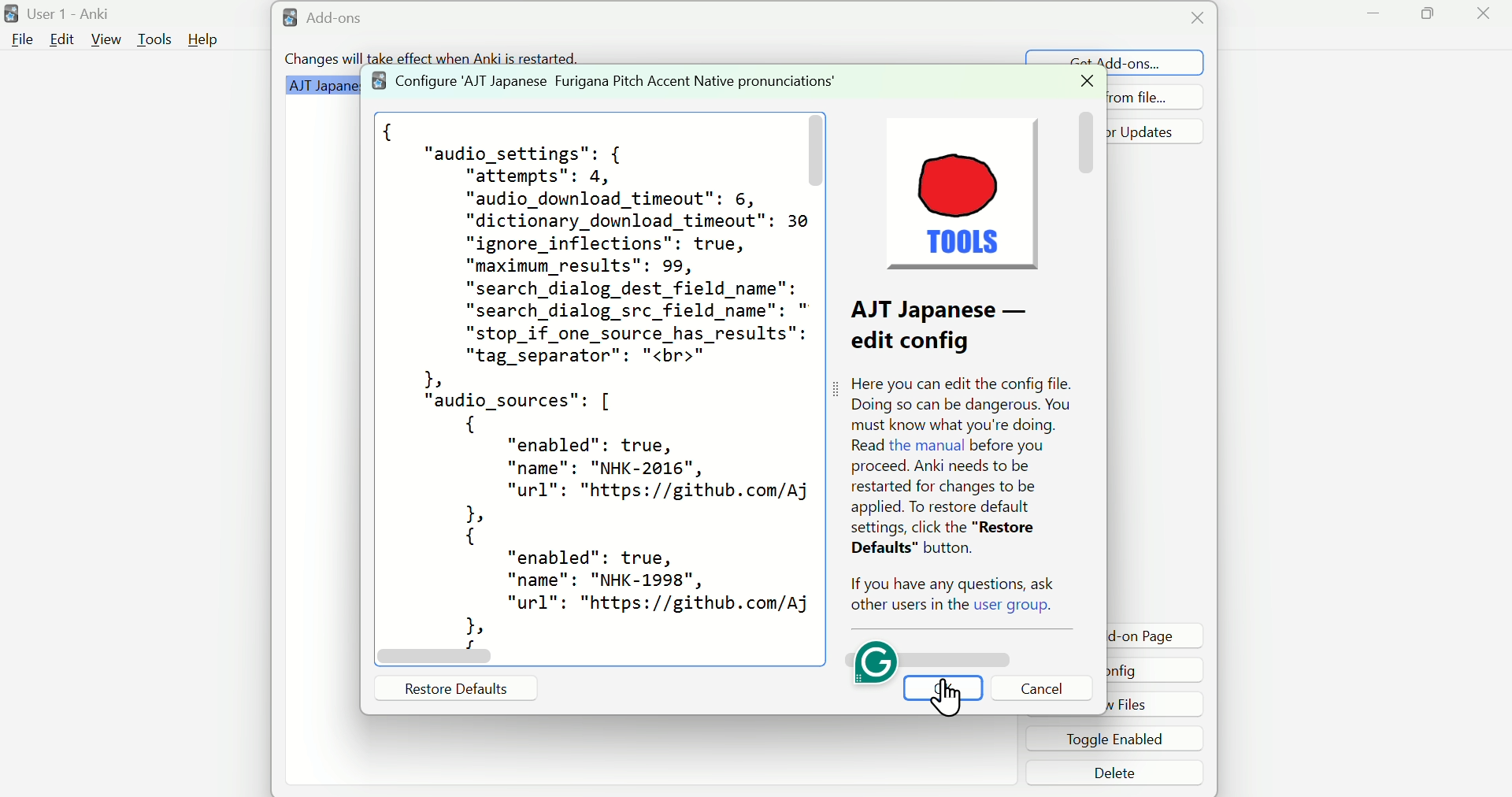 Image resolution: width=1512 pixels, height=797 pixels. Describe the element at coordinates (1486, 19) in the screenshot. I see `Close` at that location.